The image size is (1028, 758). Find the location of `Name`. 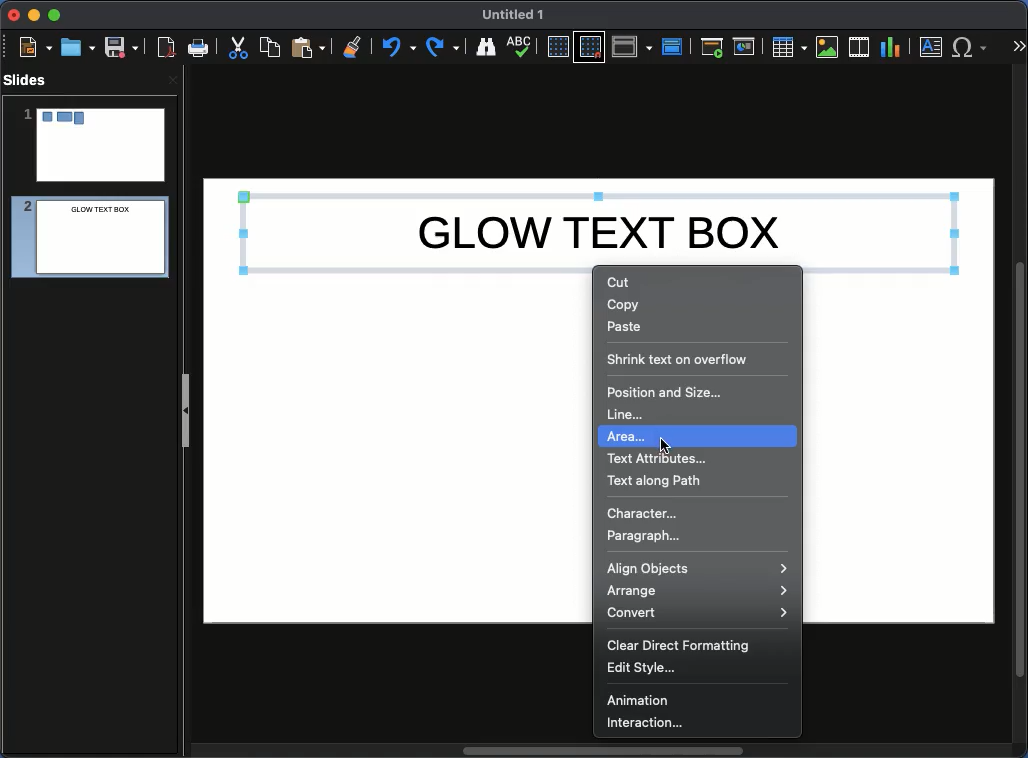

Name is located at coordinates (514, 15).